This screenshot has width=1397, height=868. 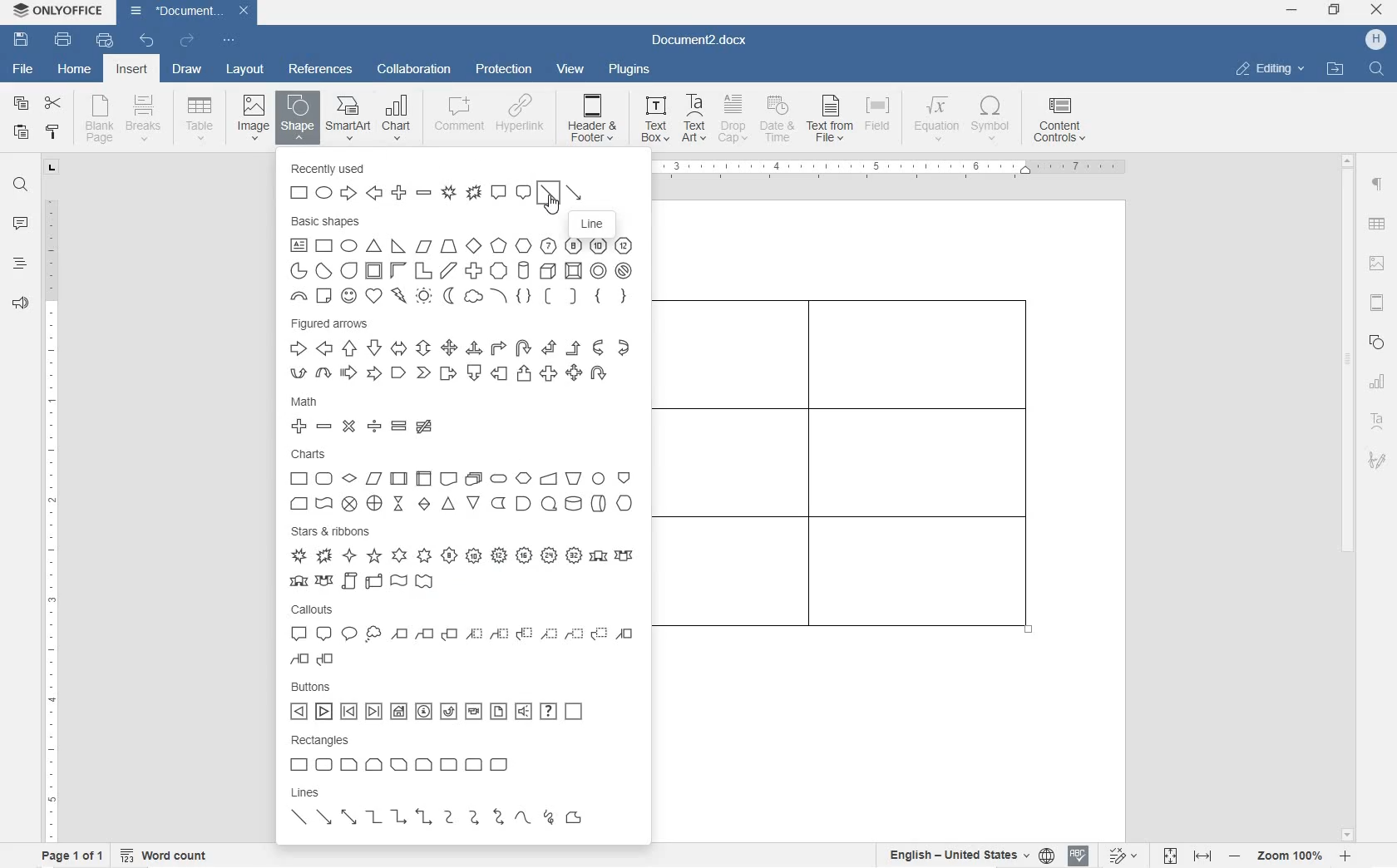 I want to click on protection, so click(x=506, y=70).